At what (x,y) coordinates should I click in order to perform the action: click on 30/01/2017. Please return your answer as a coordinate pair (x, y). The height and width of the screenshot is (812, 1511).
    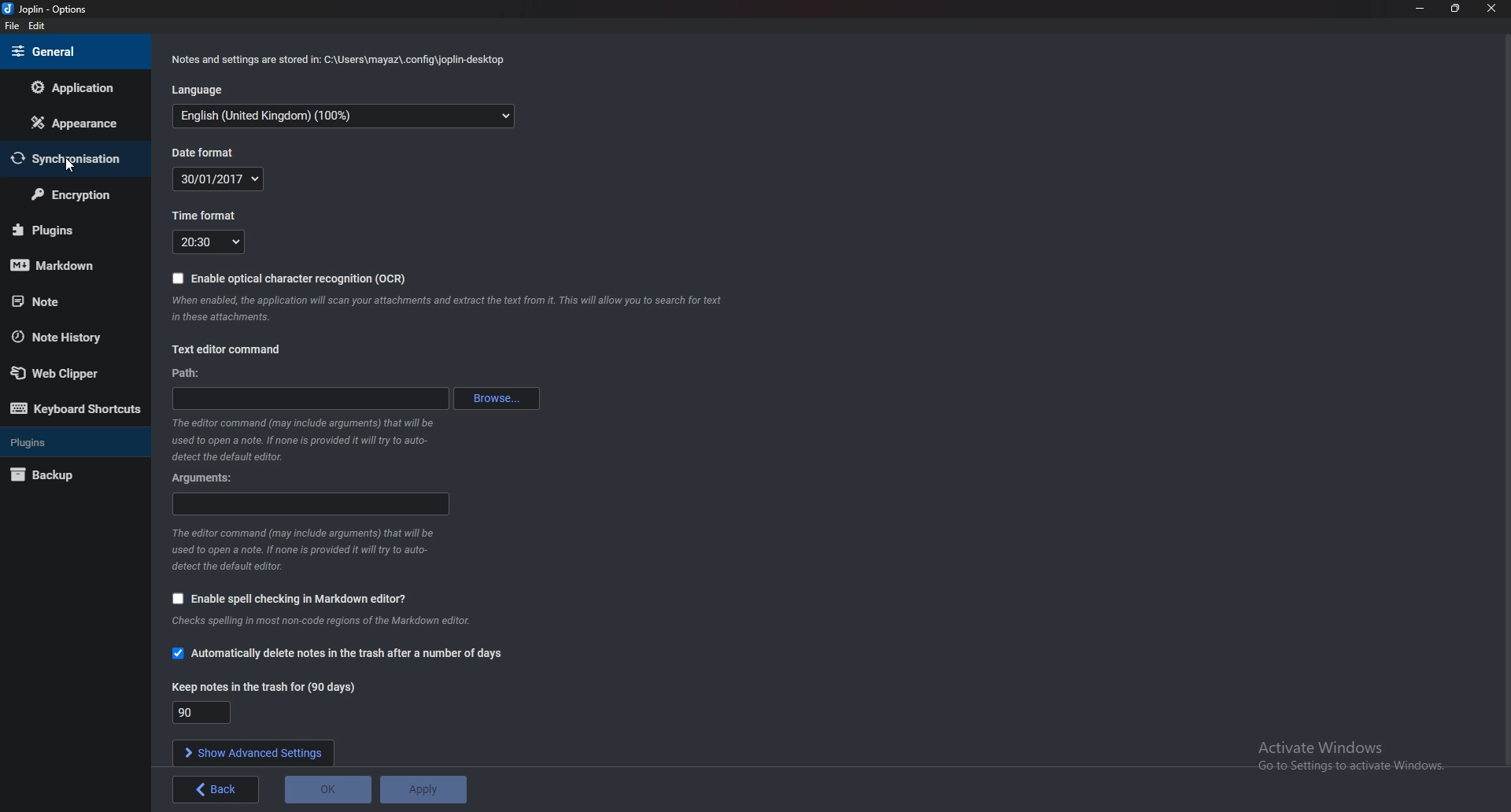
    Looking at the image, I should click on (218, 179).